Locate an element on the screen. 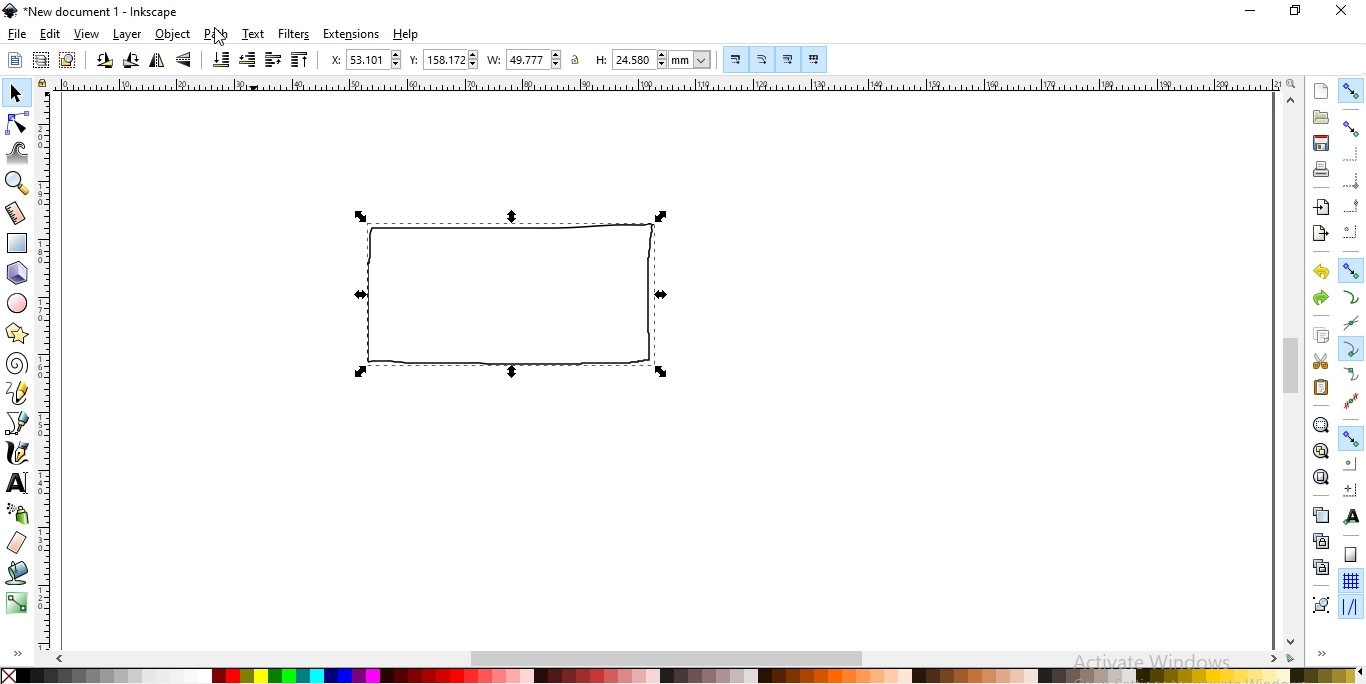  deselect any selected objects or nodes is located at coordinates (68, 60).